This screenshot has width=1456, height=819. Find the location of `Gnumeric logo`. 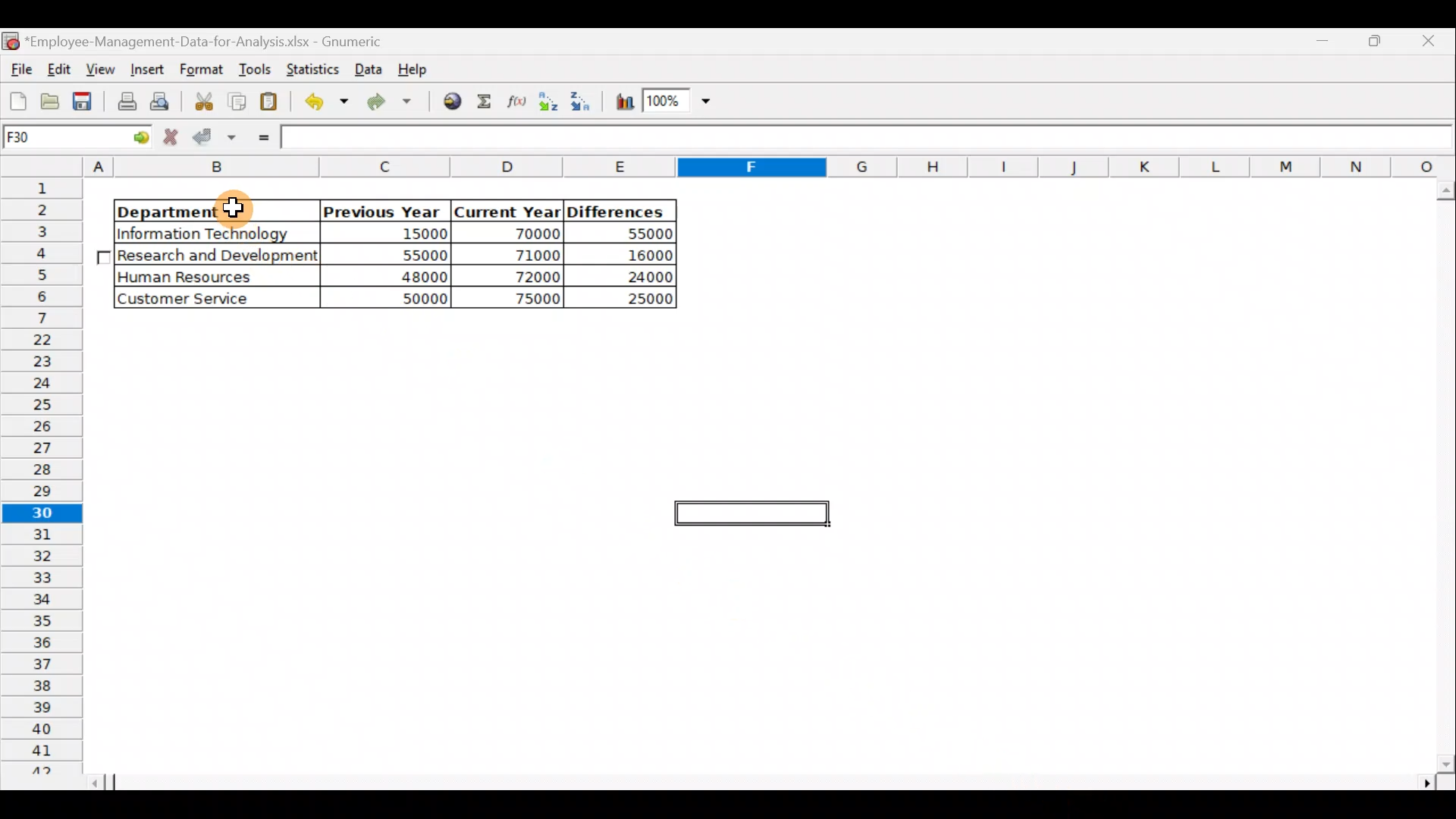

Gnumeric logo is located at coordinates (11, 40).